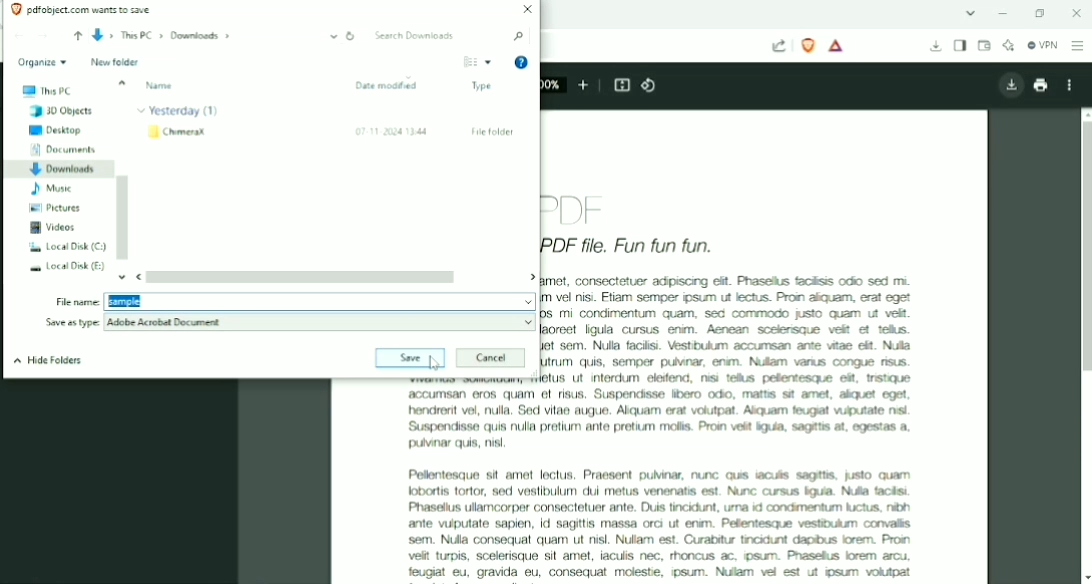  Describe the element at coordinates (526, 10) in the screenshot. I see `Close` at that location.